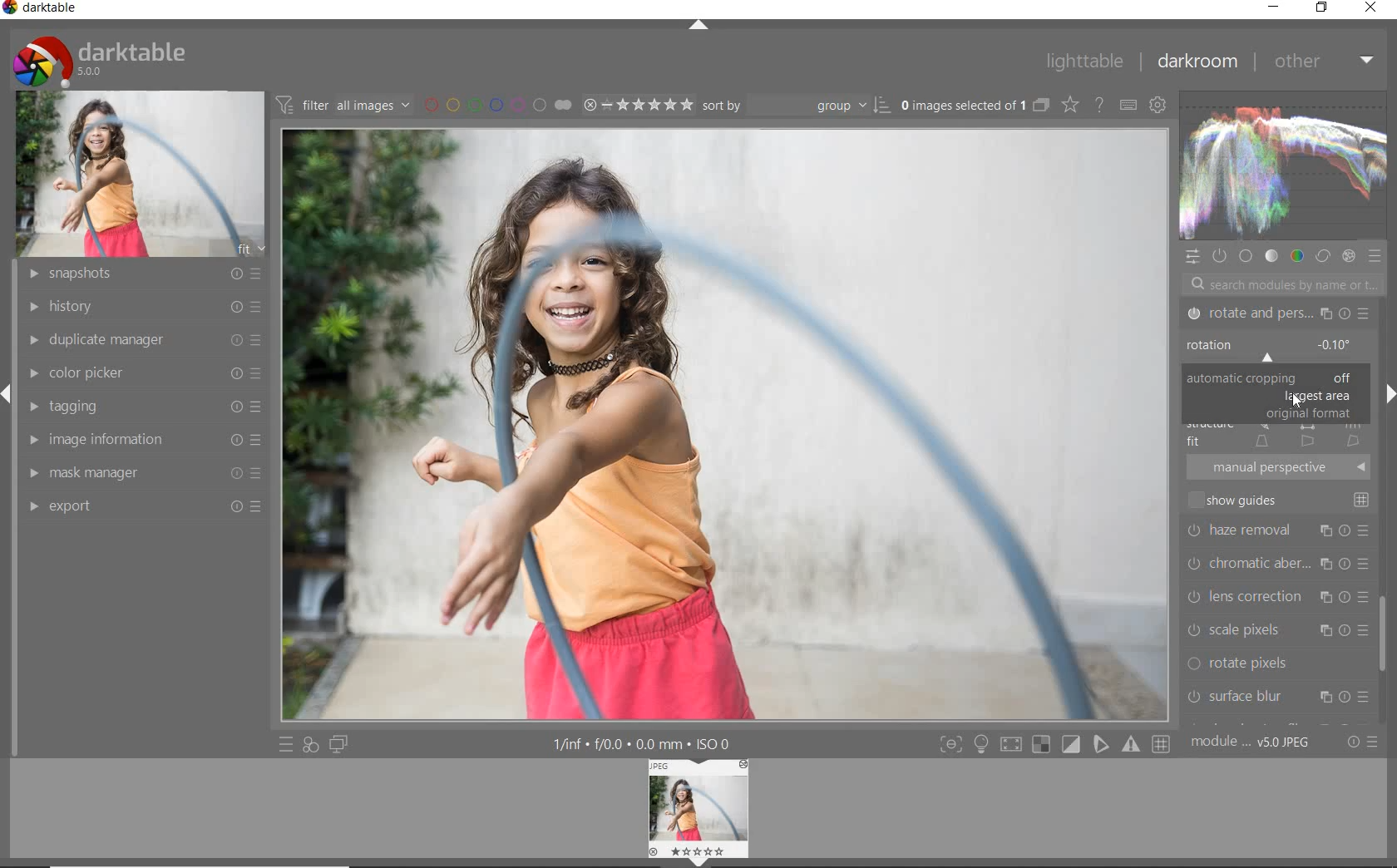 The image size is (1397, 868). What do you see at coordinates (1277, 562) in the screenshot?
I see `chromatic aberration` at bounding box center [1277, 562].